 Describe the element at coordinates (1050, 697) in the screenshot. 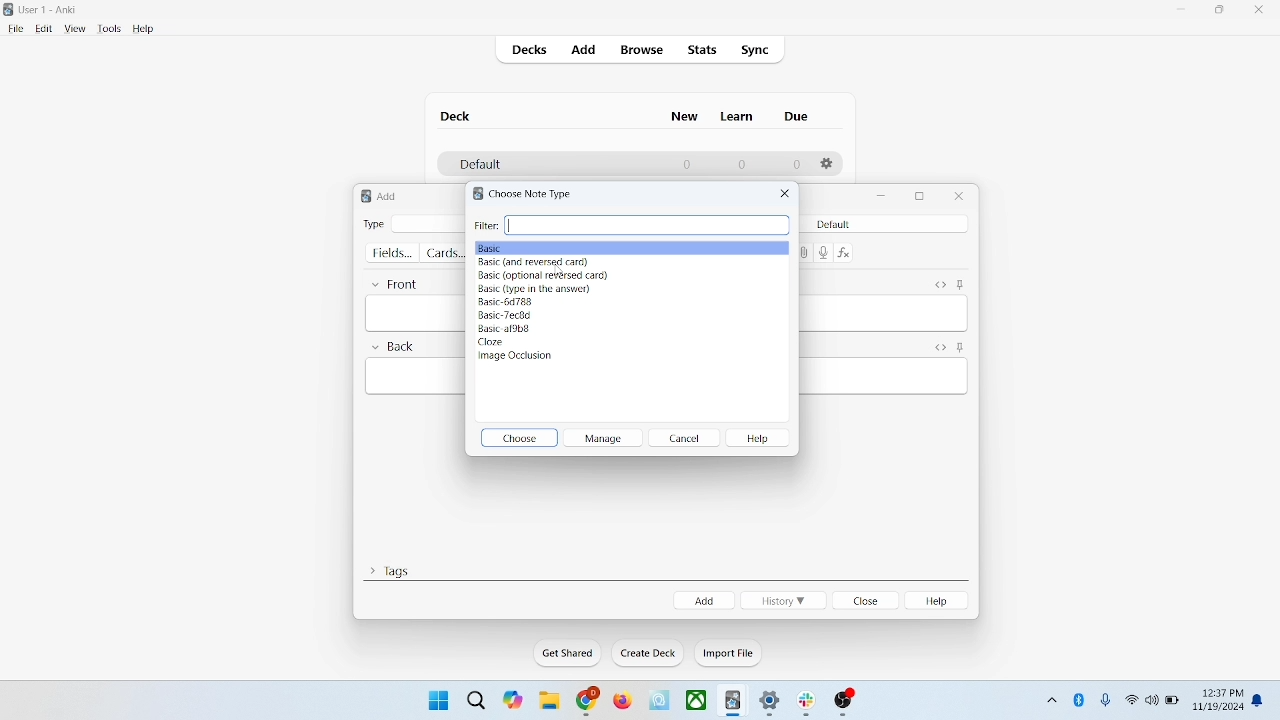

I see `show hidden icons` at that location.